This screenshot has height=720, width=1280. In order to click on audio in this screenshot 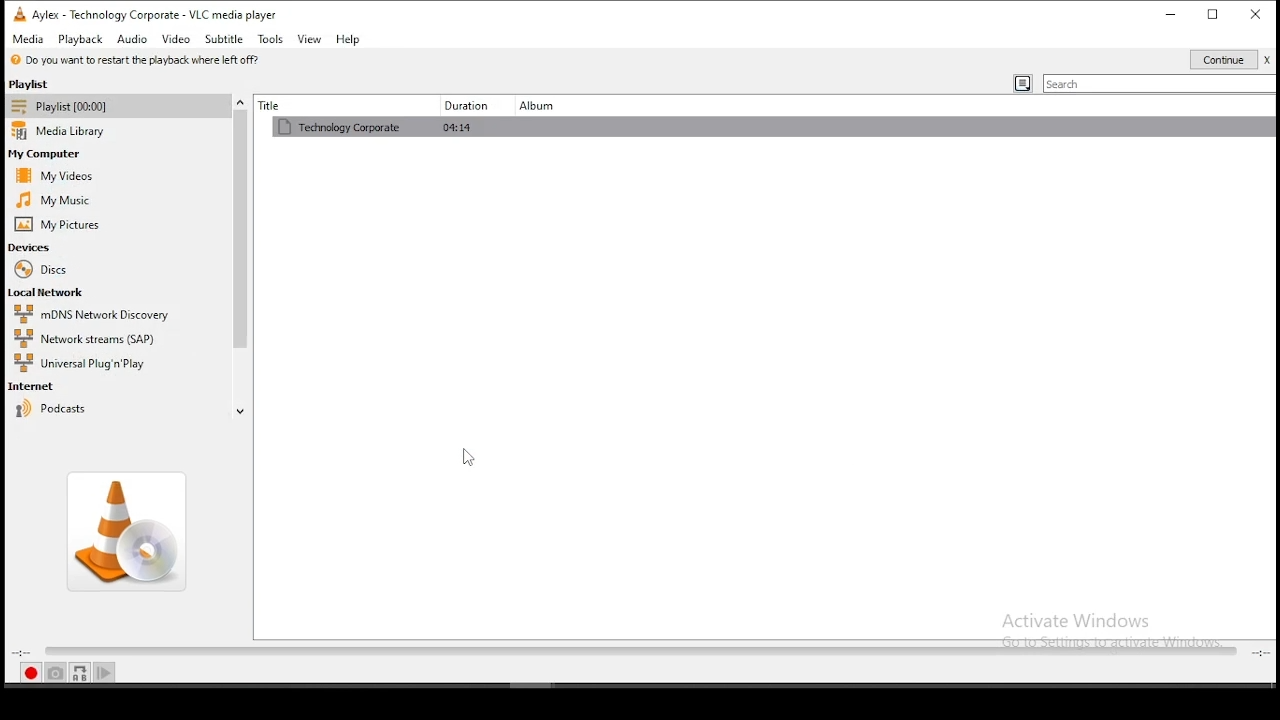, I will do `click(135, 39)`.